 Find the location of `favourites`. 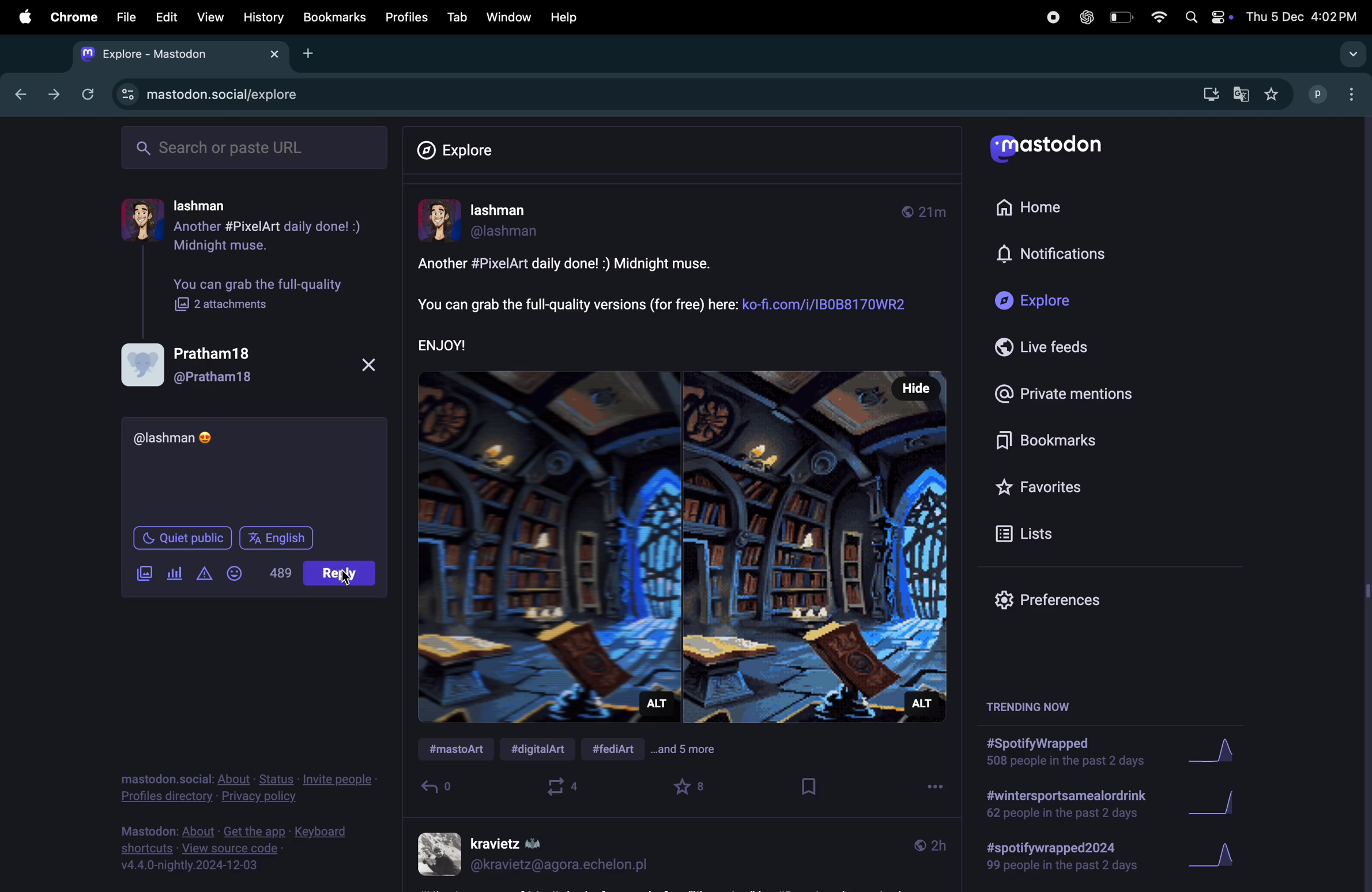

favourites is located at coordinates (692, 788).